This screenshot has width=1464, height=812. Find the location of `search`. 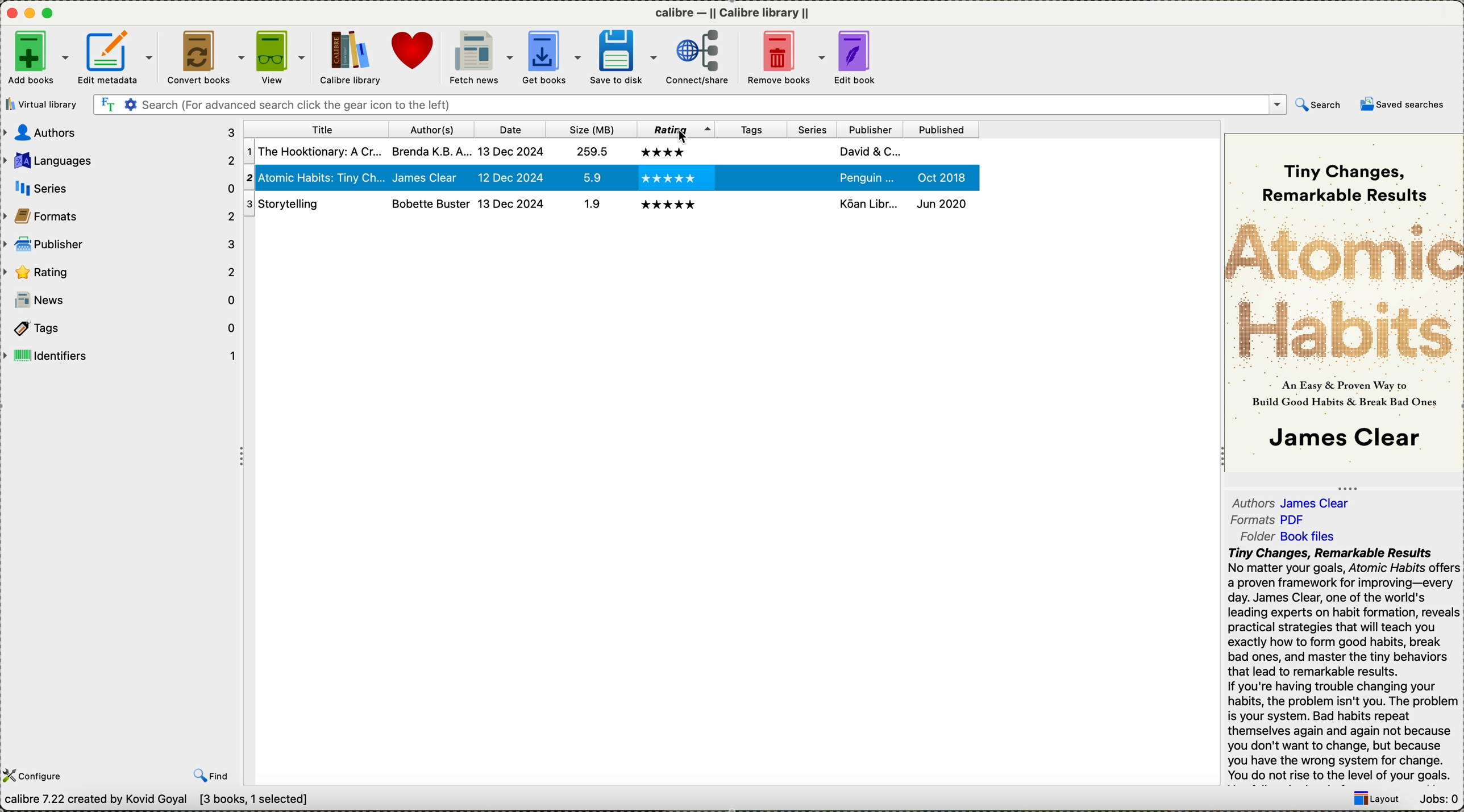

search is located at coordinates (1321, 105).